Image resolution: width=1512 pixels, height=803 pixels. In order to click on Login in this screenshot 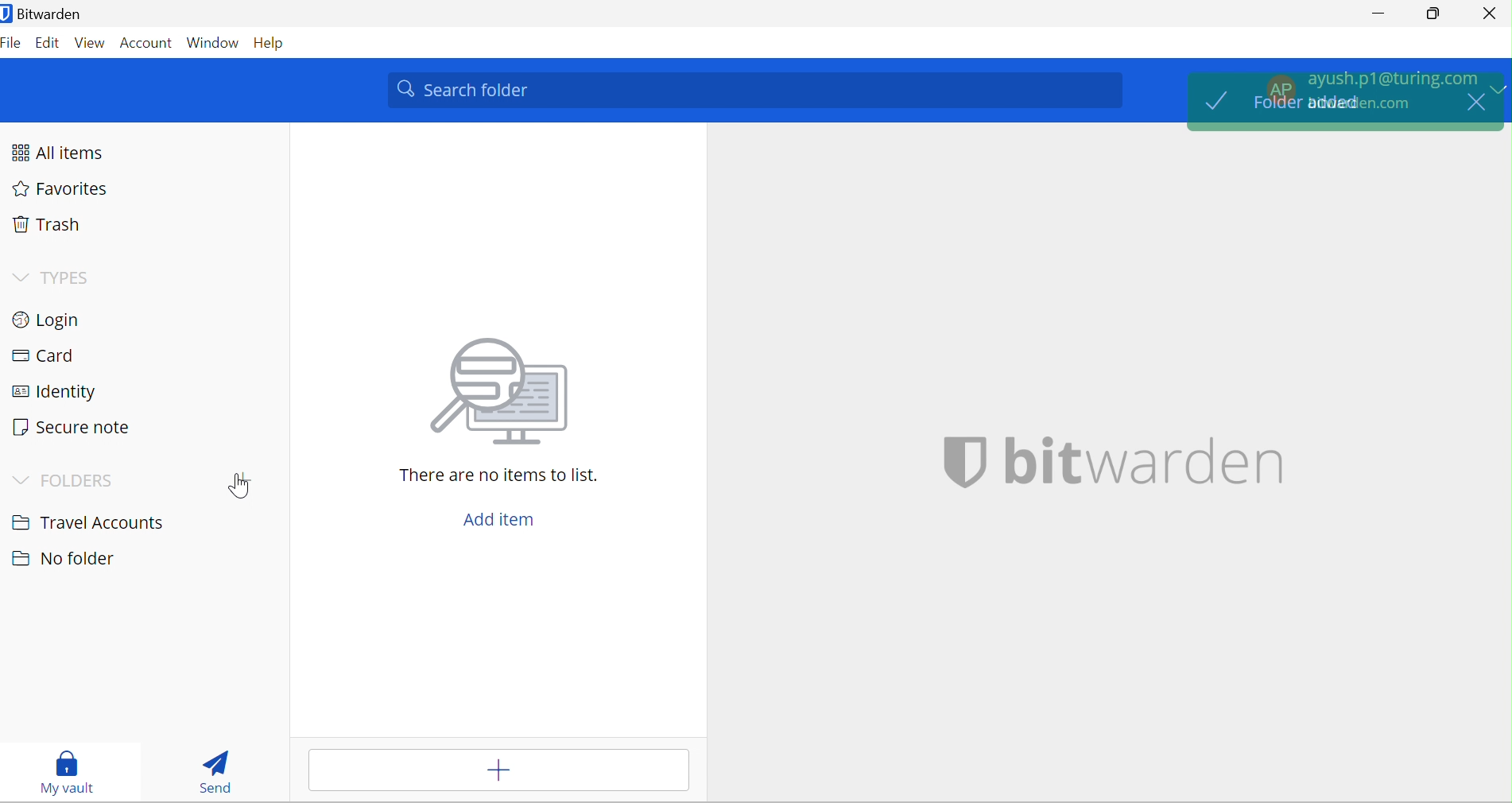, I will do `click(54, 321)`.